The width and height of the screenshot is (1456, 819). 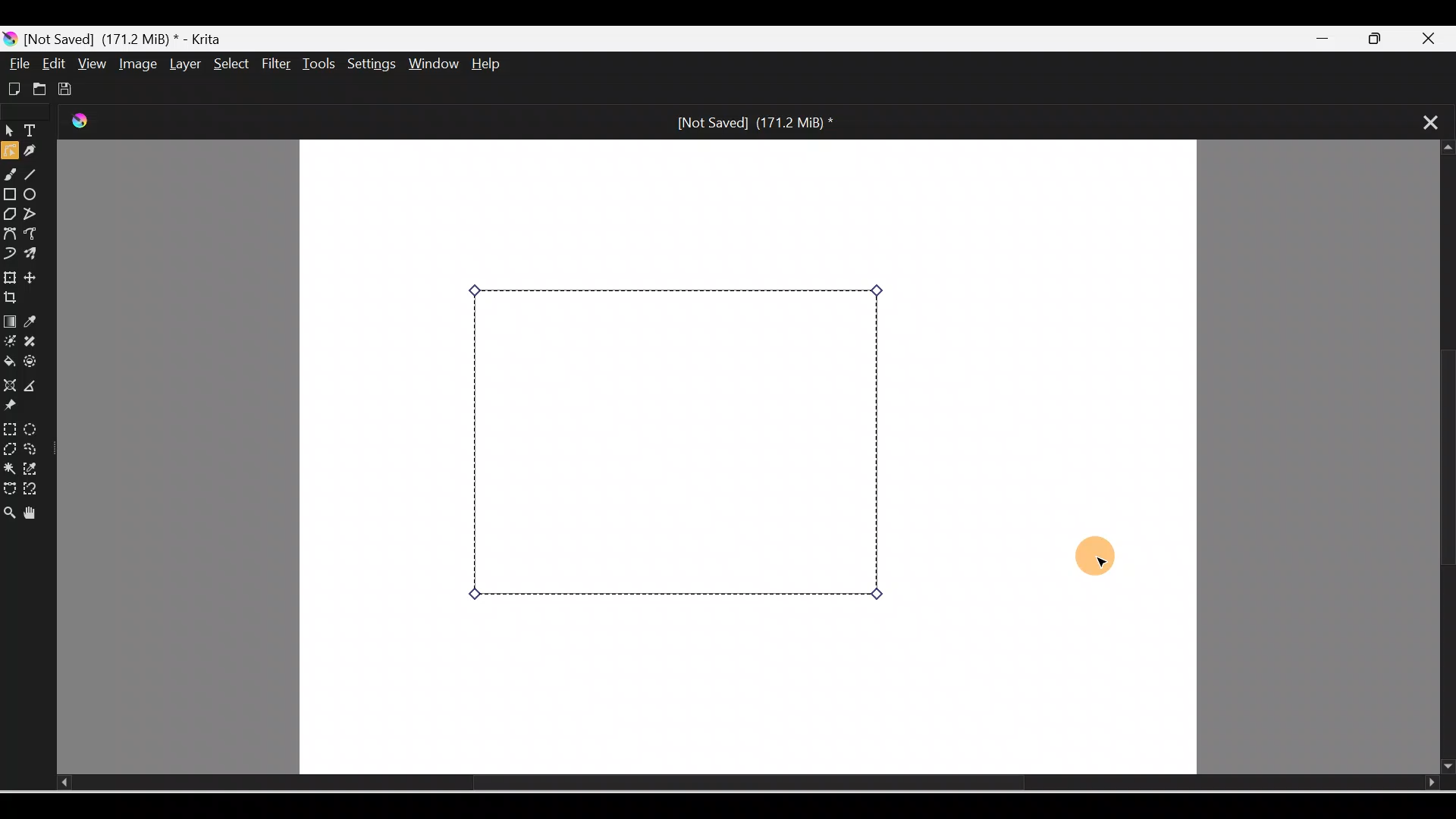 What do you see at coordinates (12, 177) in the screenshot?
I see `Freehand brush tool` at bounding box center [12, 177].